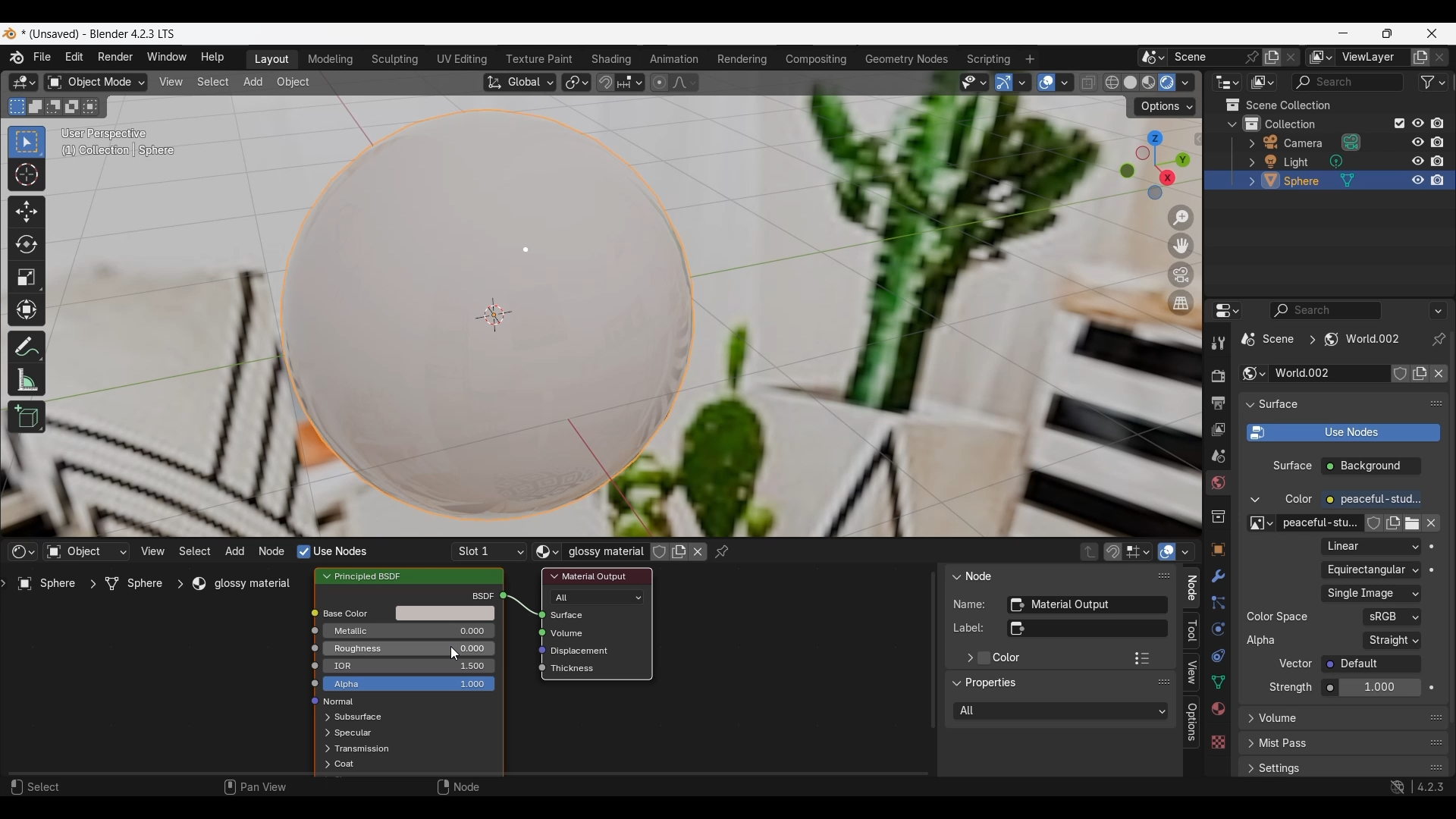  What do you see at coordinates (507, 595) in the screenshot?
I see `icon` at bounding box center [507, 595].